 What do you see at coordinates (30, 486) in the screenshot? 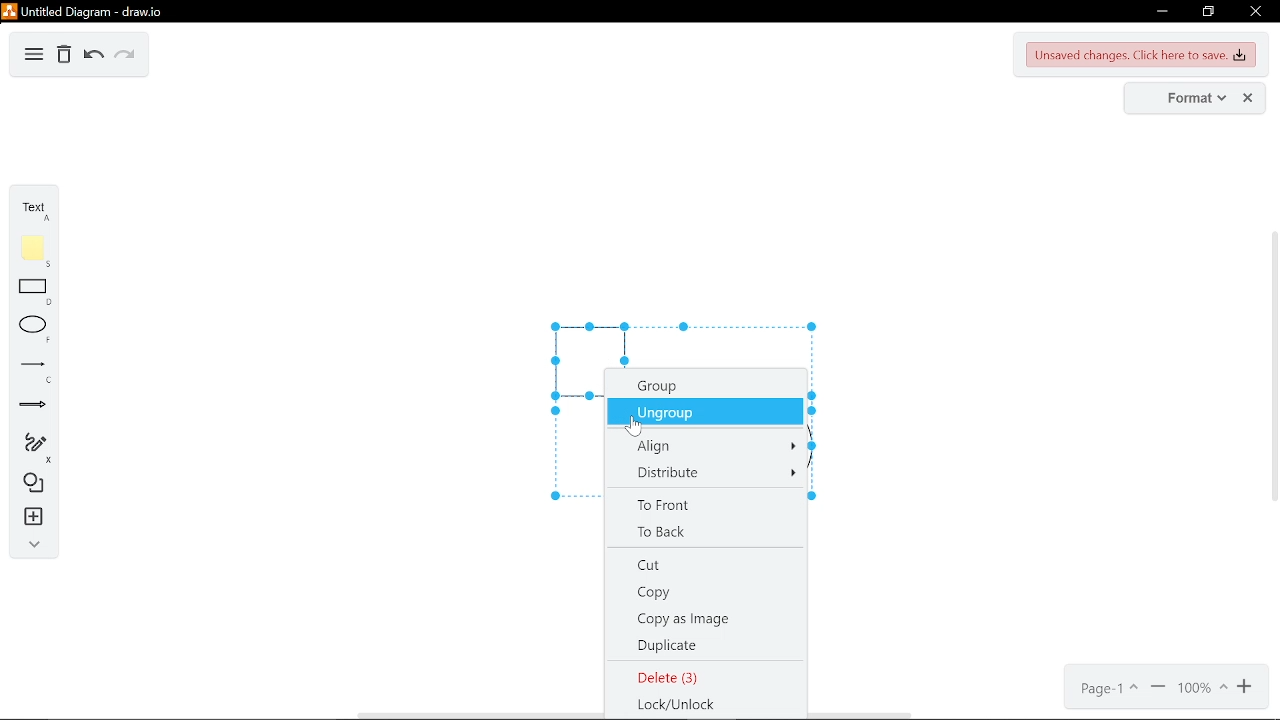
I see `shapes` at bounding box center [30, 486].